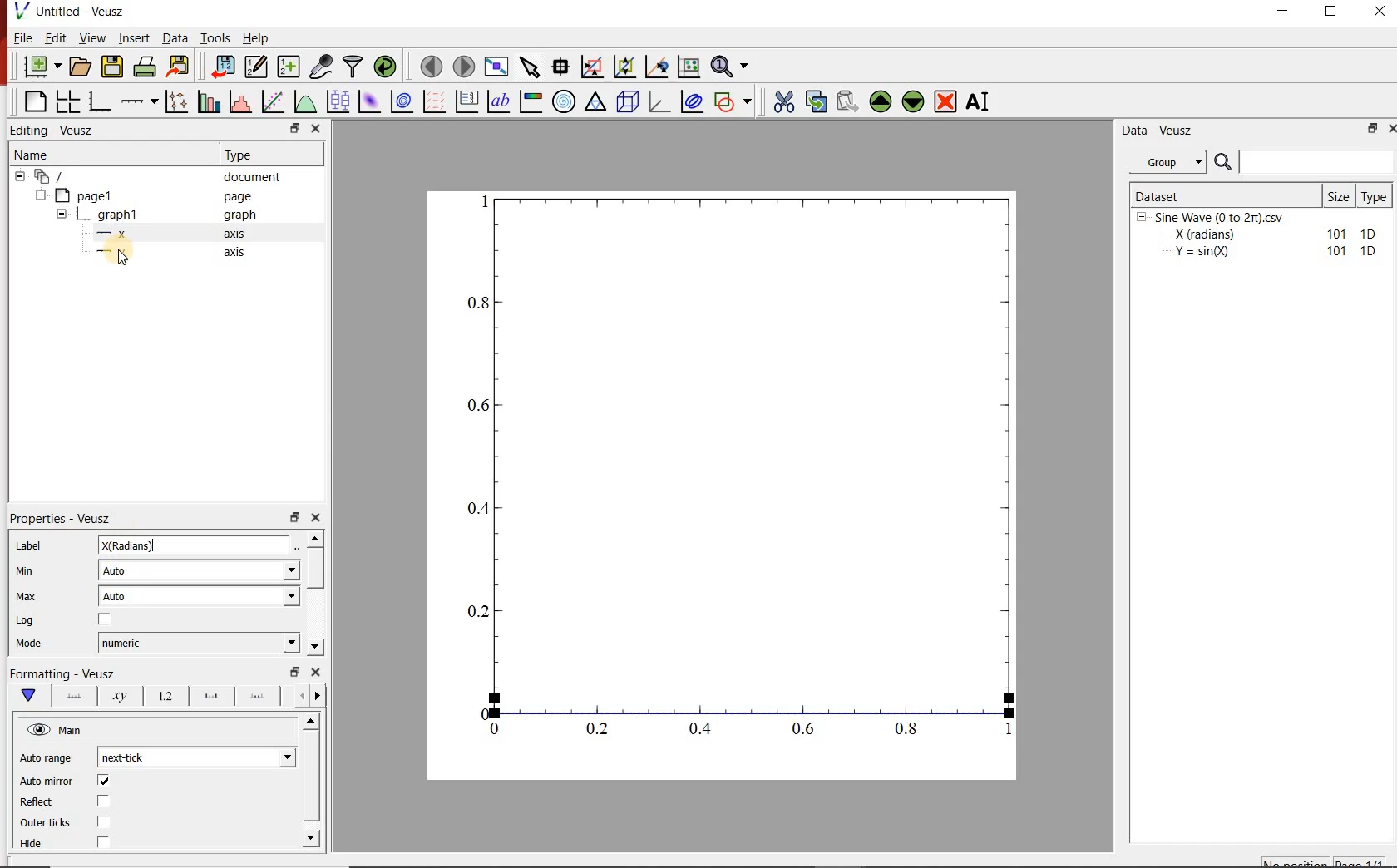 This screenshot has height=868, width=1397. What do you see at coordinates (1282, 12) in the screenshot?
I see `Minimize` at bounding box center [1282, 12].